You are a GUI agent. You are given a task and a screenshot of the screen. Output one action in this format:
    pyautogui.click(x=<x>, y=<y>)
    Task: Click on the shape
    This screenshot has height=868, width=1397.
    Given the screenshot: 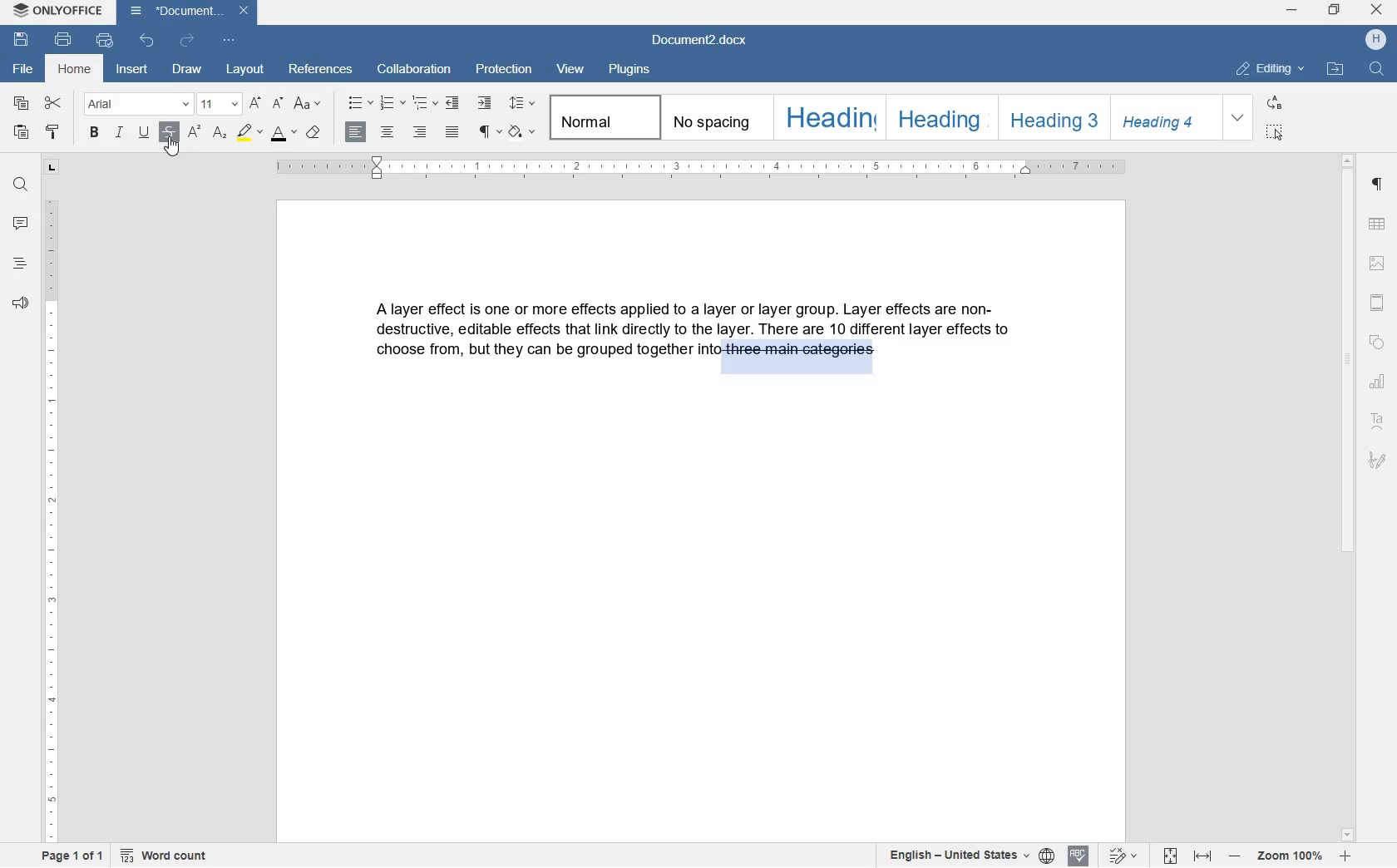 What is the action you would take?
    pyautogui.click(x=1380, y=343)
    